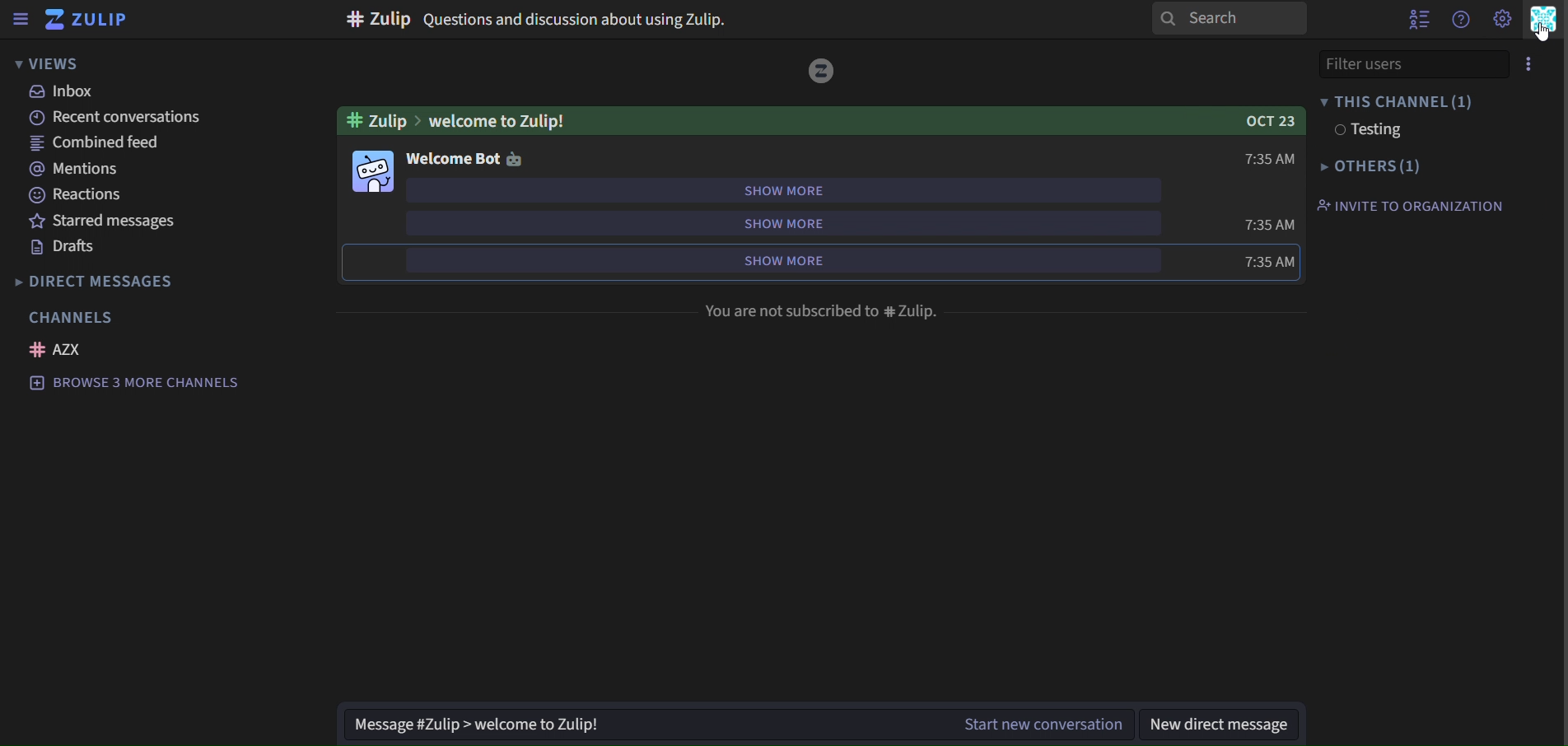 The height and width of the screenshot is (746, 1568). What do you see at coordinates (827, 311) in the screenshot?
I see `You are not subscribed to #Zulip` at bounding box center [827, 311].